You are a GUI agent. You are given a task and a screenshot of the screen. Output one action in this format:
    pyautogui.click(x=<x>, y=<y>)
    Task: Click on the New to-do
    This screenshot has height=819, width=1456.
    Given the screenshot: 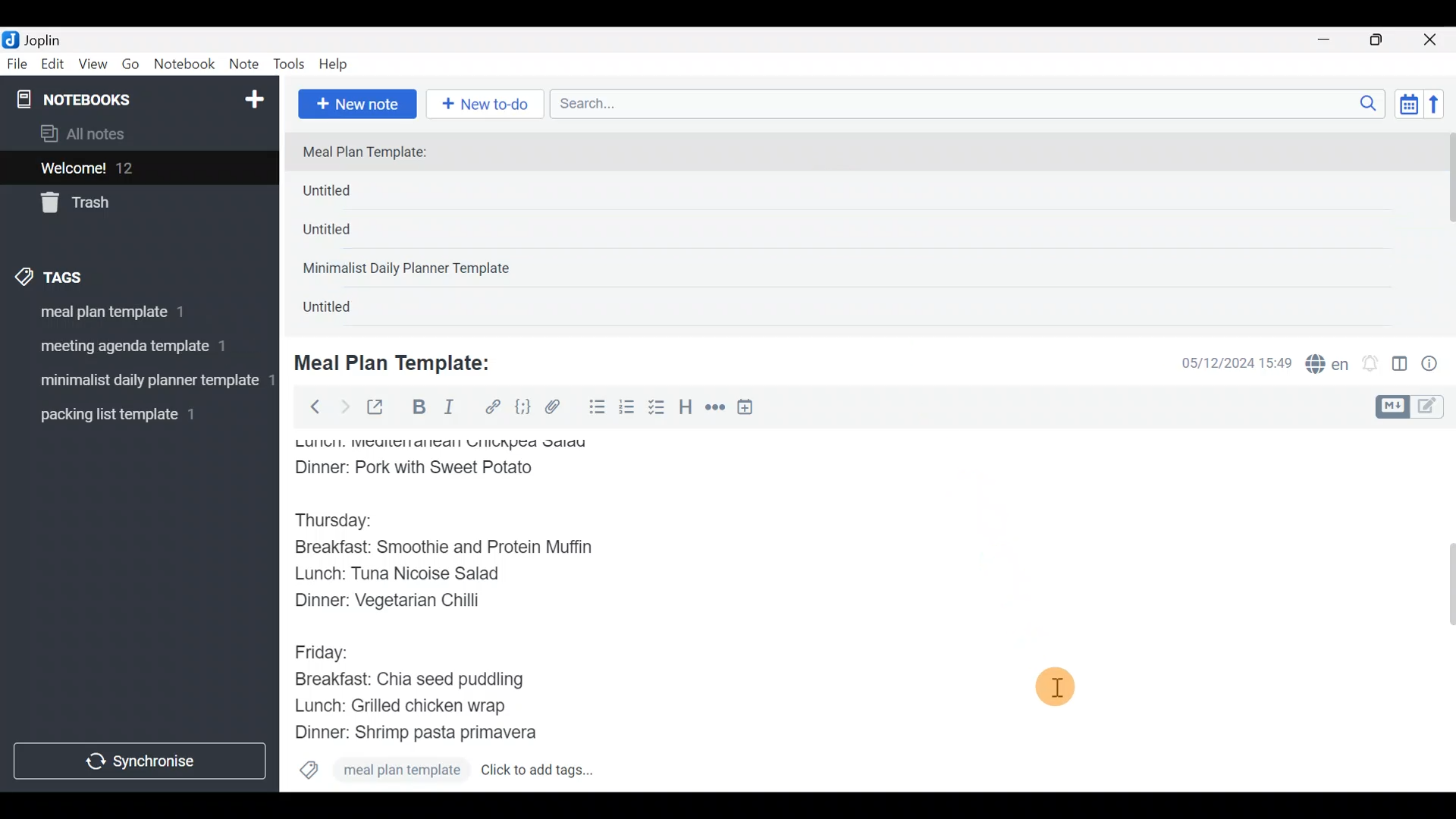 What is the action you would take?
    pyautogui.click(x=488, y=102)
    